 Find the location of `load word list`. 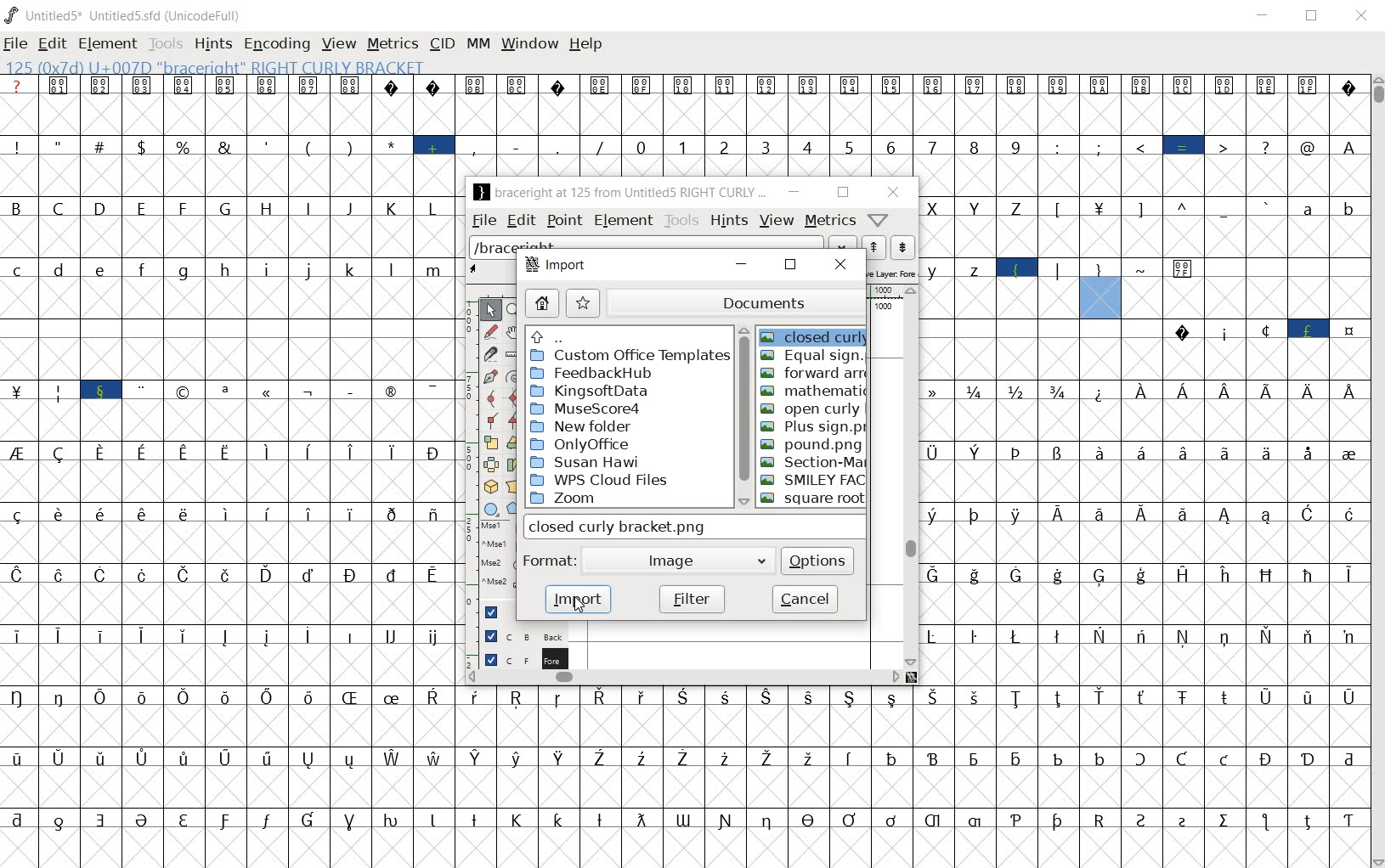

load word list is located at coordinates (661, 244).